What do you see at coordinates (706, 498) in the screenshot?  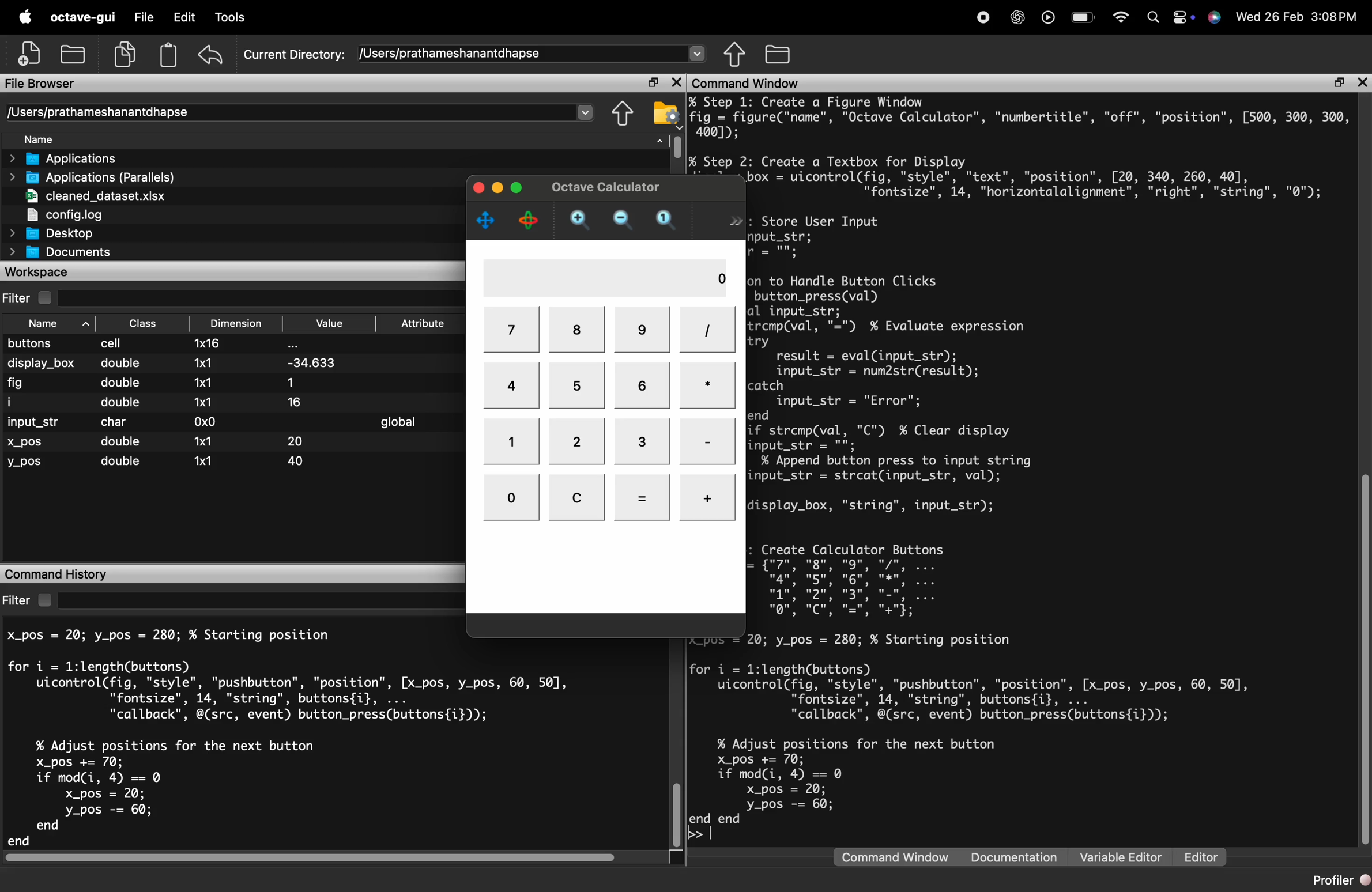 I see `+` at bounding box center [706, 498].